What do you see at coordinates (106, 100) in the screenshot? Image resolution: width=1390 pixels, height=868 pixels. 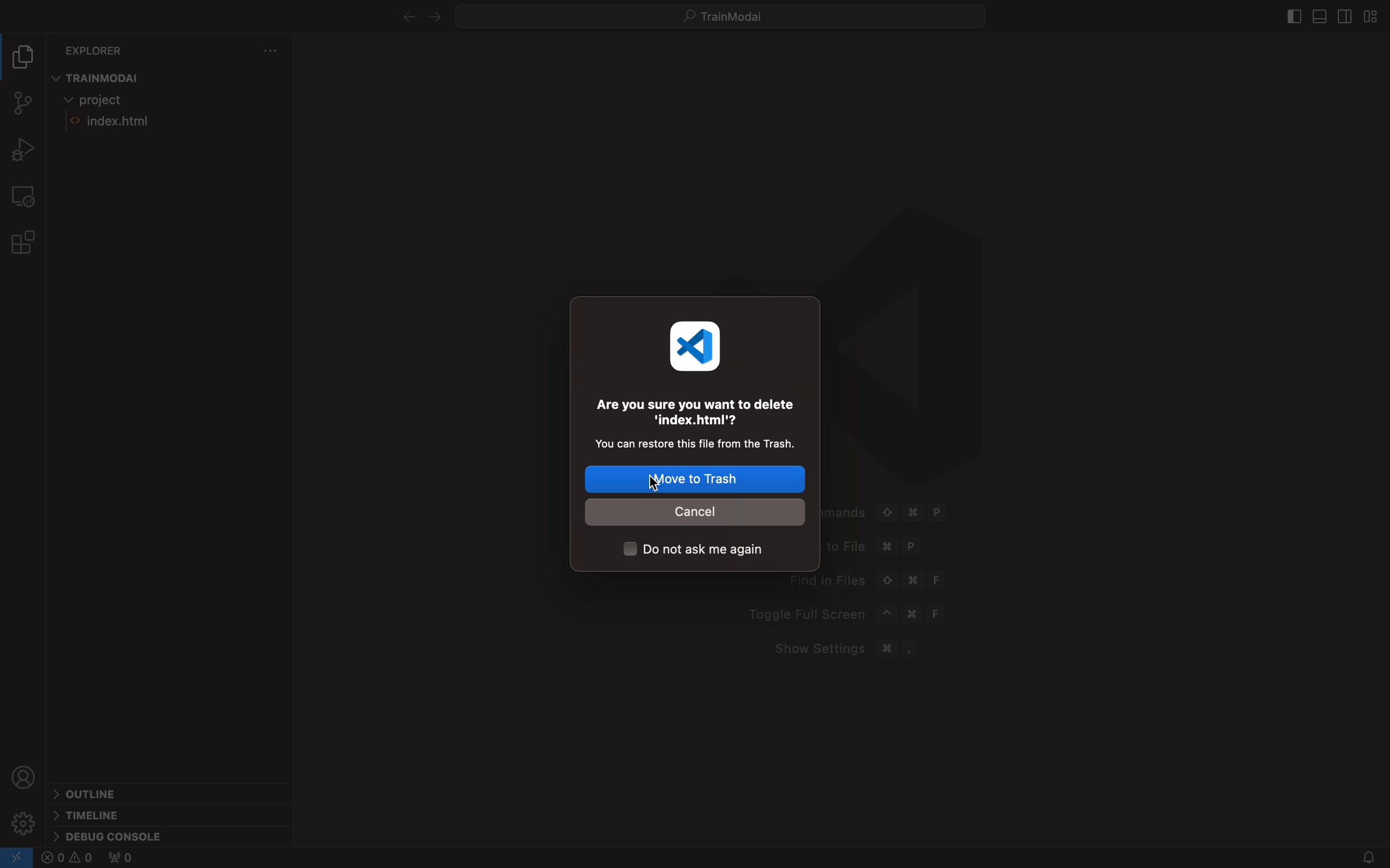 I see `folder` at bounding box center [106, 100].